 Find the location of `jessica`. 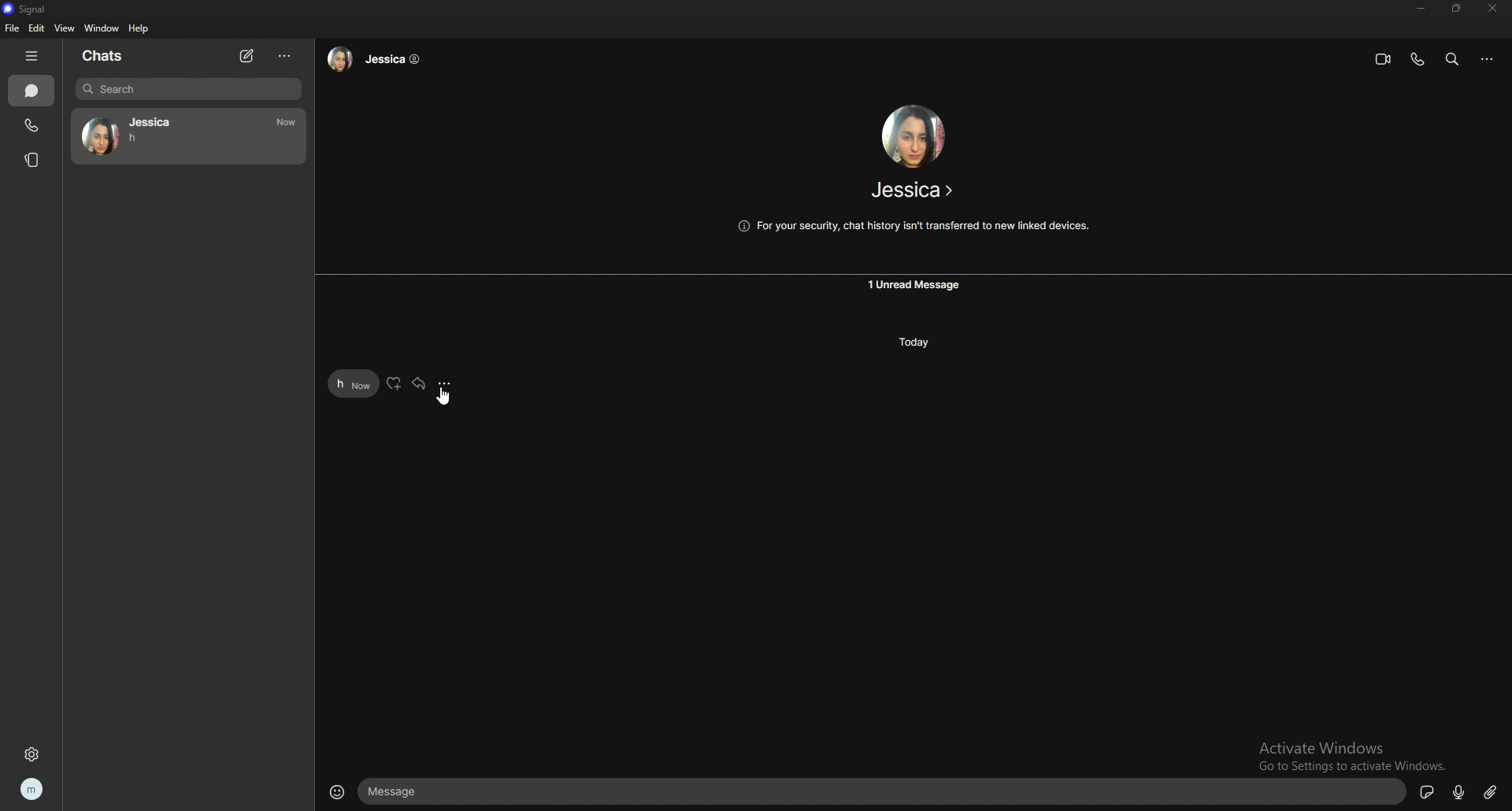

jessica is located at coordinates (913, 191).